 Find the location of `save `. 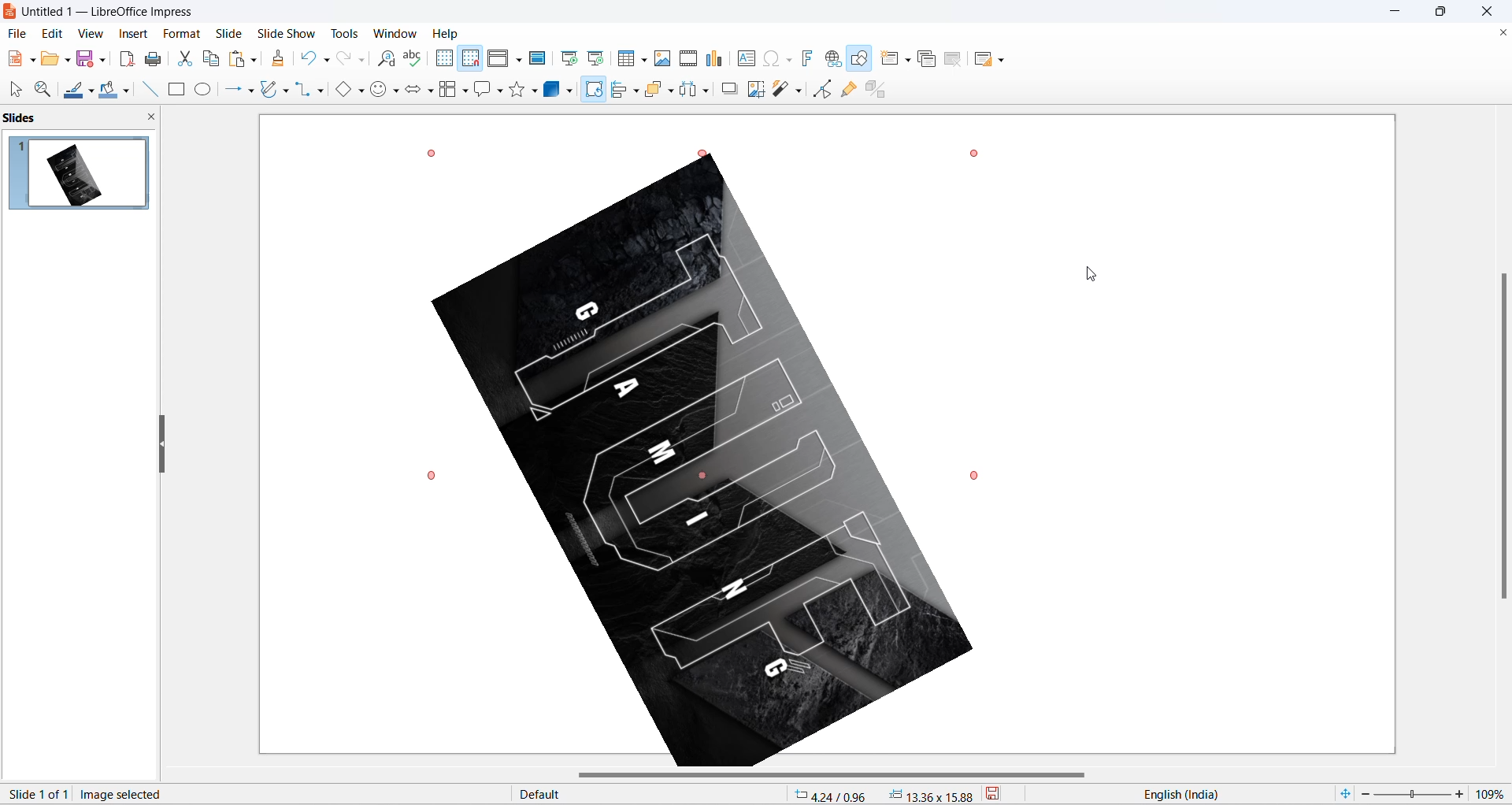

save  is located at coordinates (86, 61).